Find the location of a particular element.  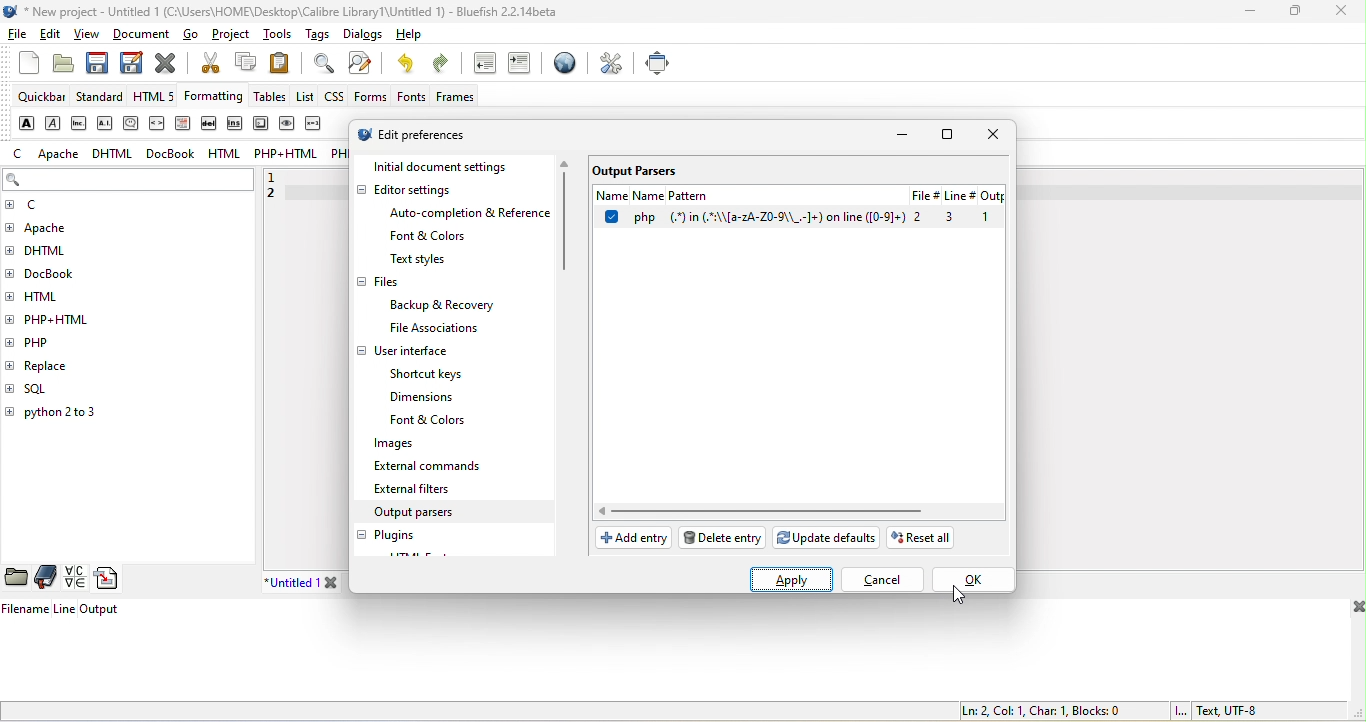

editor settings is located at coordinates (424, 190).